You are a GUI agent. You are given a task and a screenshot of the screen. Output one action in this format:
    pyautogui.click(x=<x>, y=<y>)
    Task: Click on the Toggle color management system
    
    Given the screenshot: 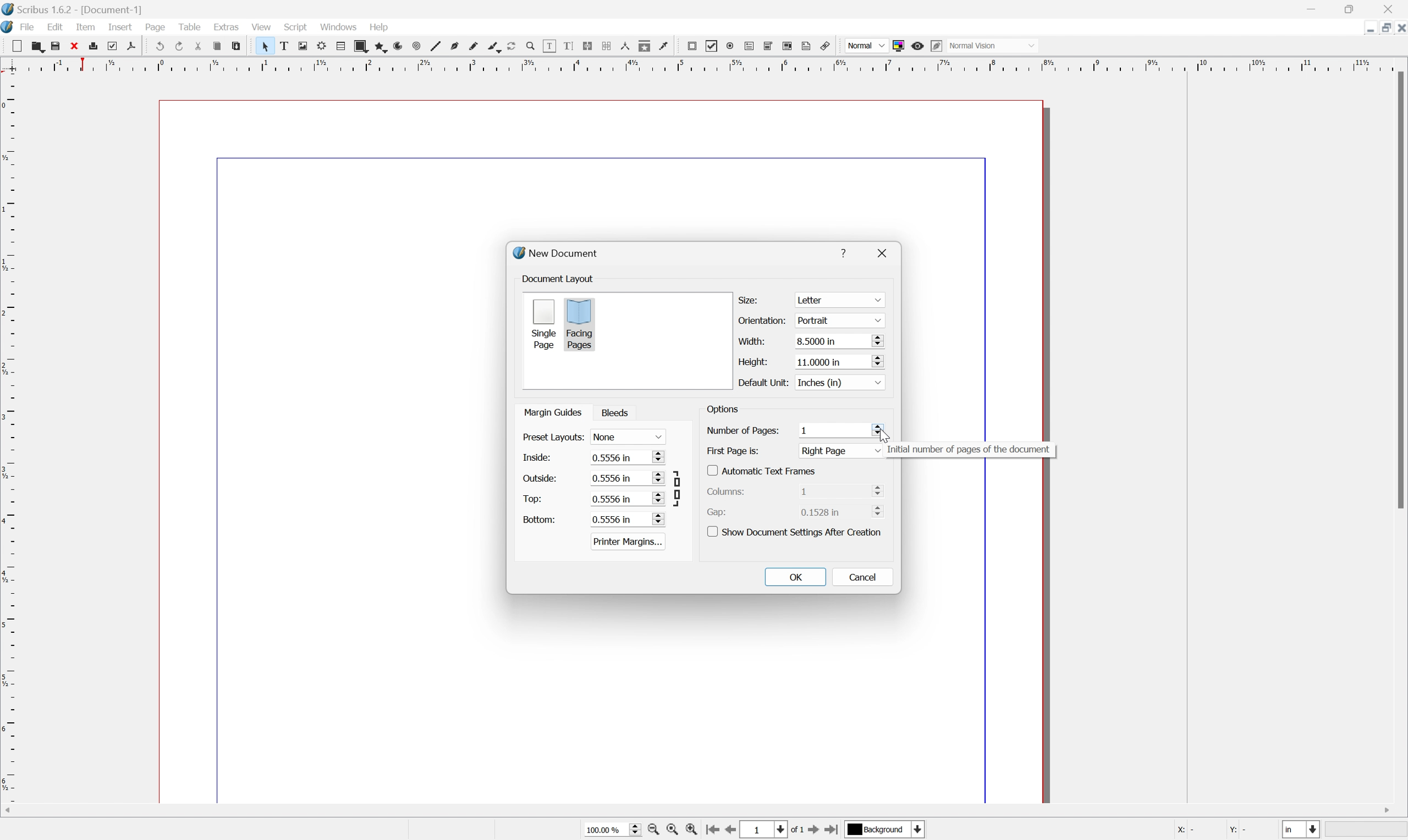 What is the action you would take?
    pyautogui.click(x=898, y=45)
    